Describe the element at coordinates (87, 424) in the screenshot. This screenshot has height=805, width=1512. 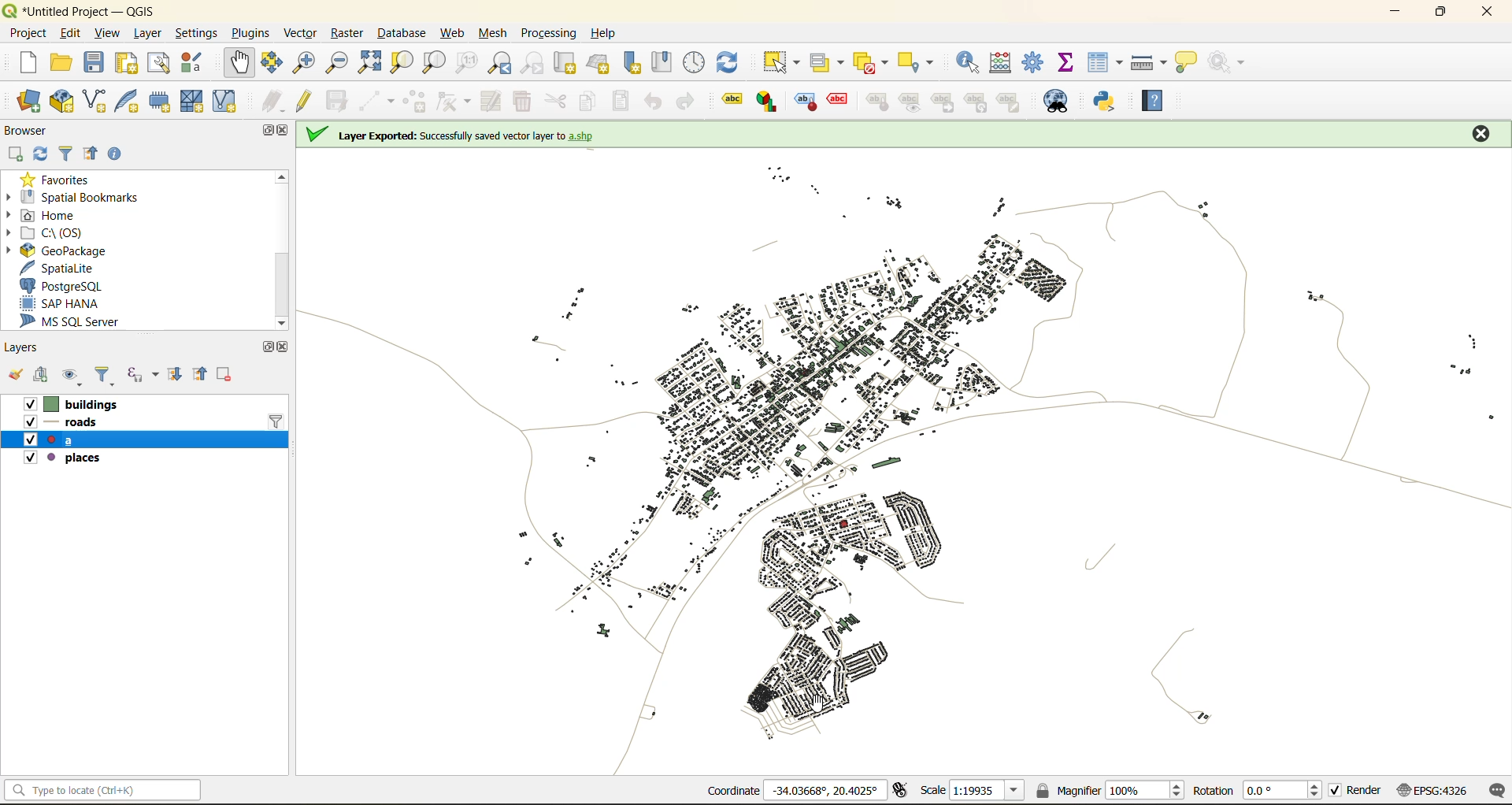
I see `roads` at that location.